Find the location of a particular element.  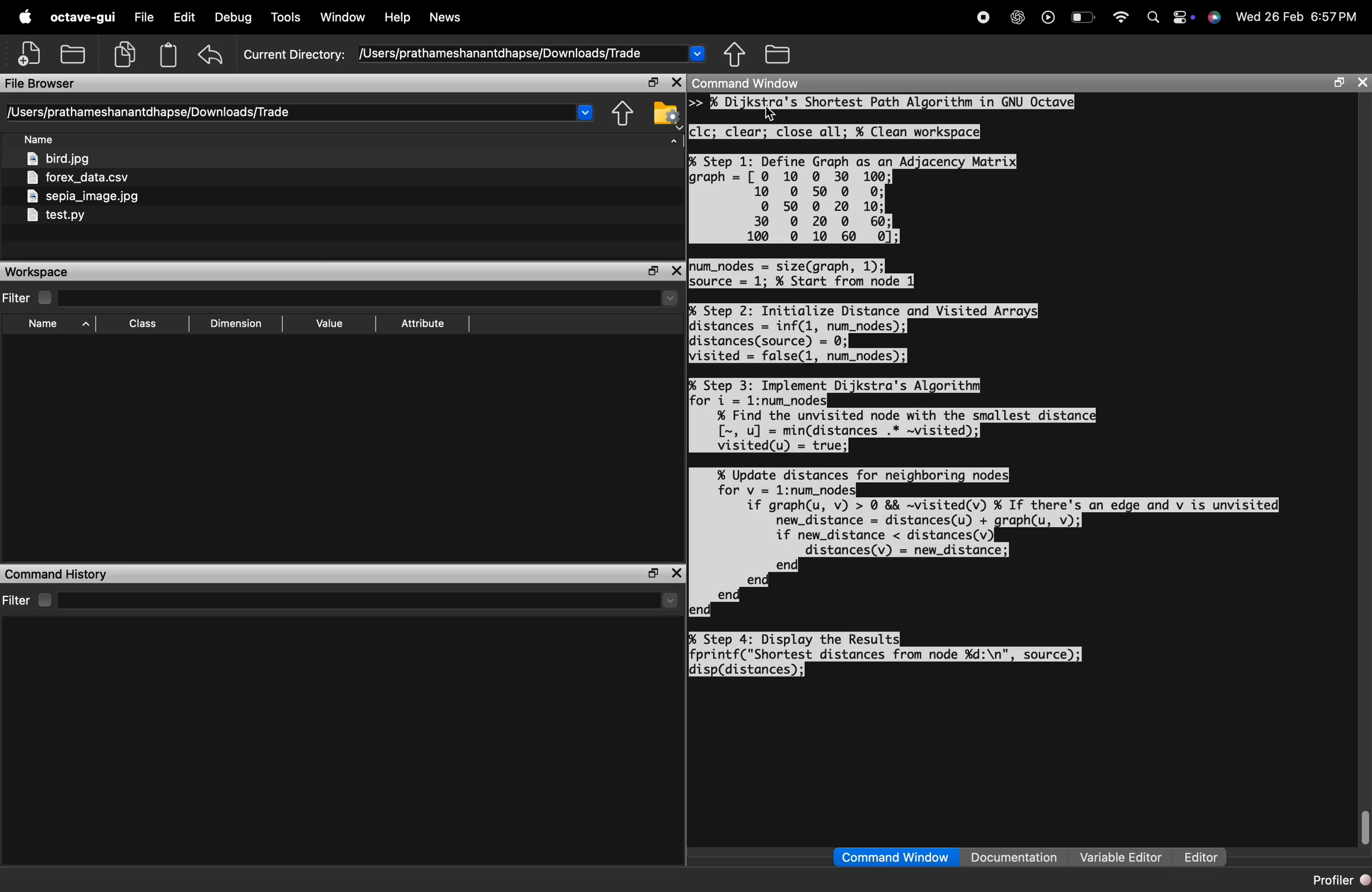

apple  is located at coordinates (25, 17).